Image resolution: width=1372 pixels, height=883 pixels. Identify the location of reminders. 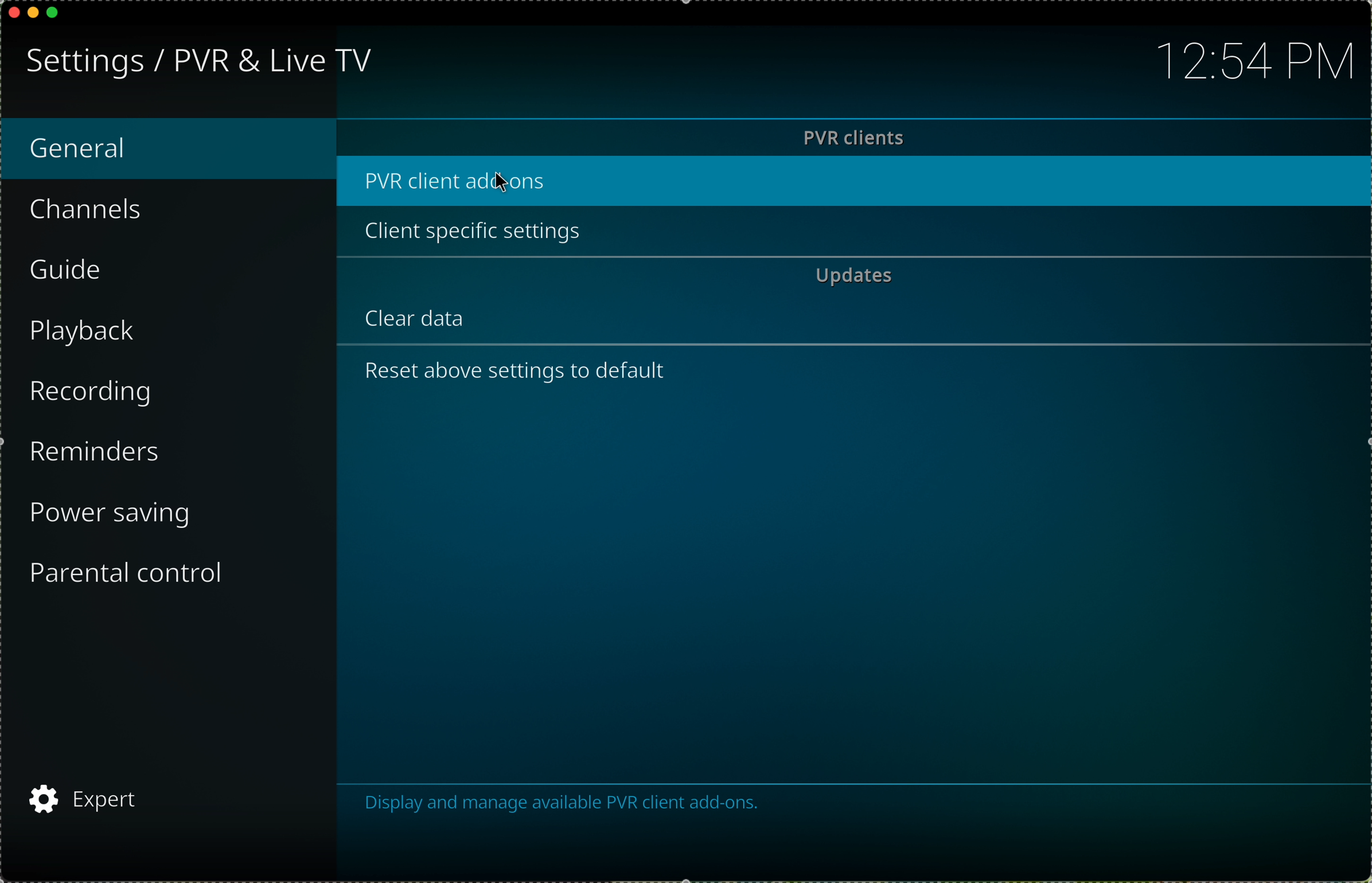
(101, 452).